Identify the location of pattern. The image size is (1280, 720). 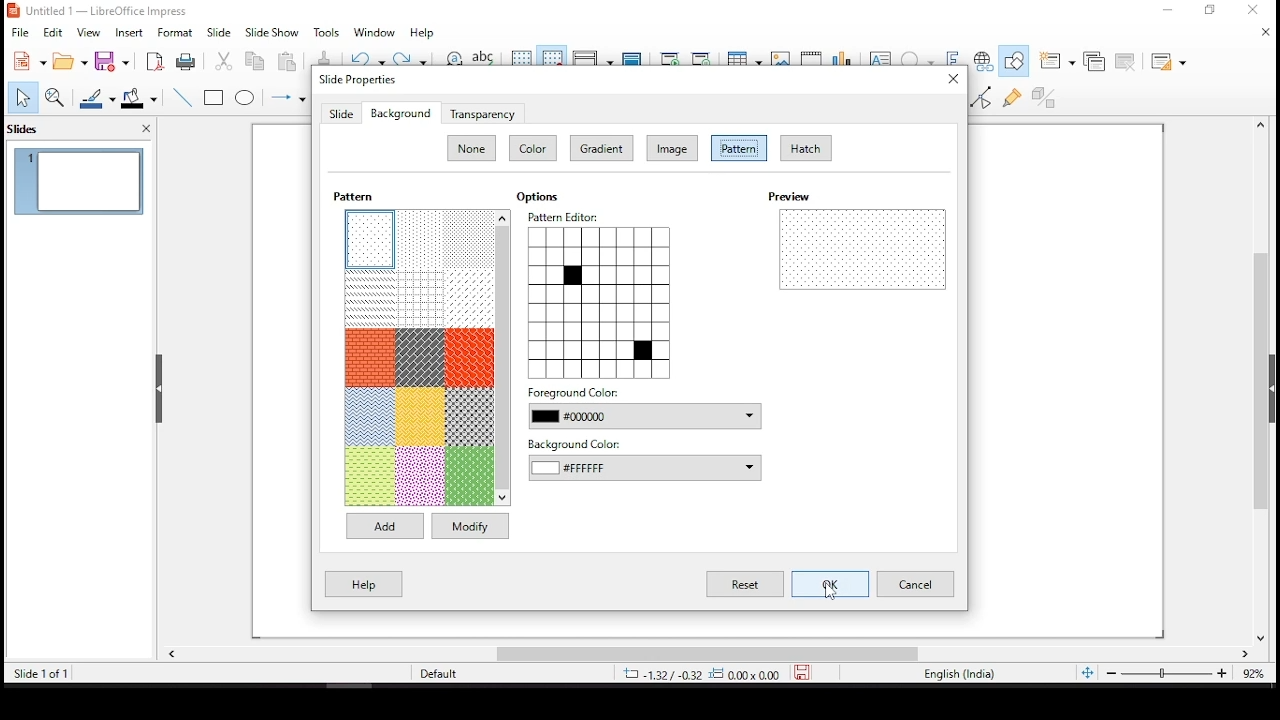
(371, 239).